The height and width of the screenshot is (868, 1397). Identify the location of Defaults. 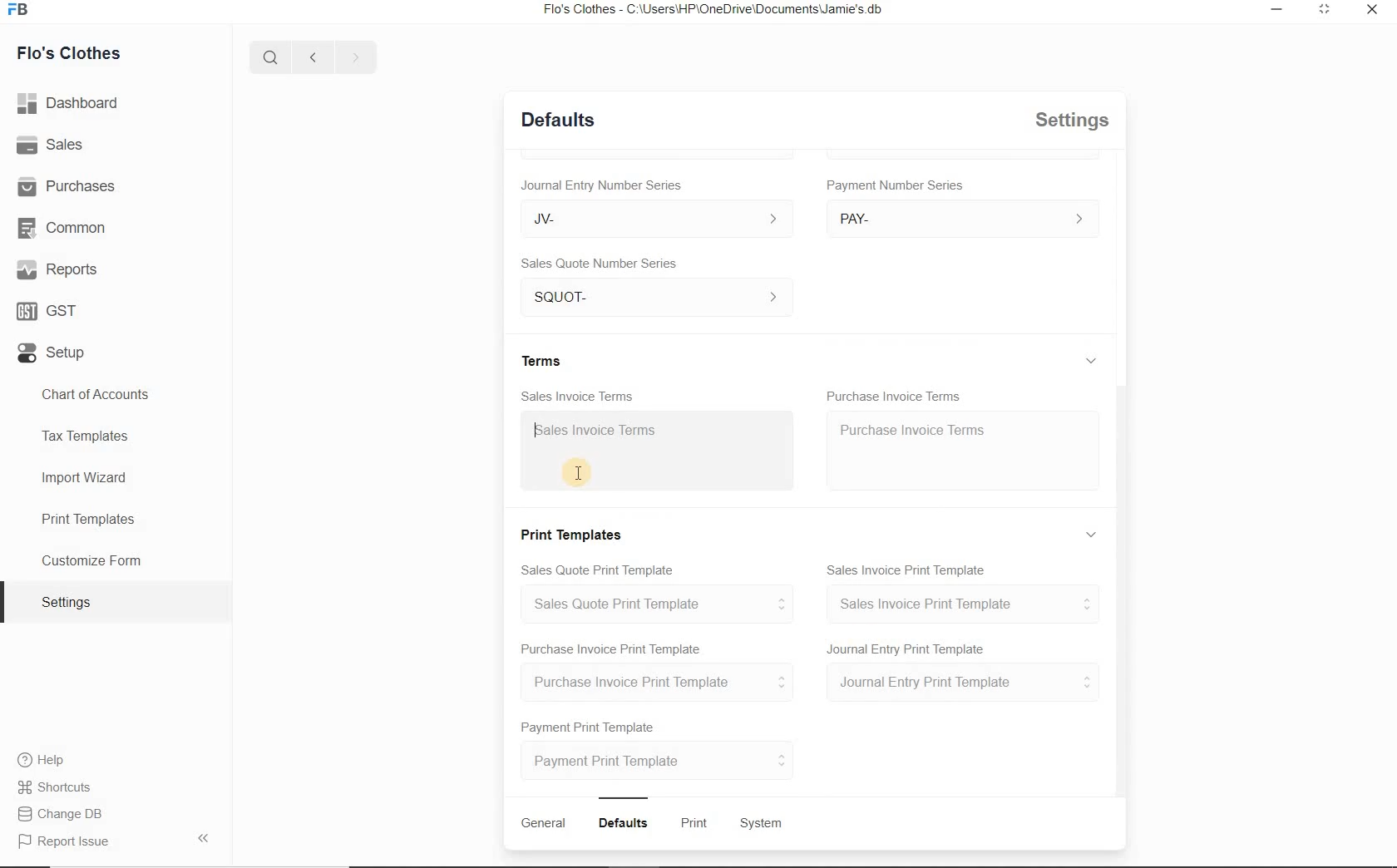
(623, 823).